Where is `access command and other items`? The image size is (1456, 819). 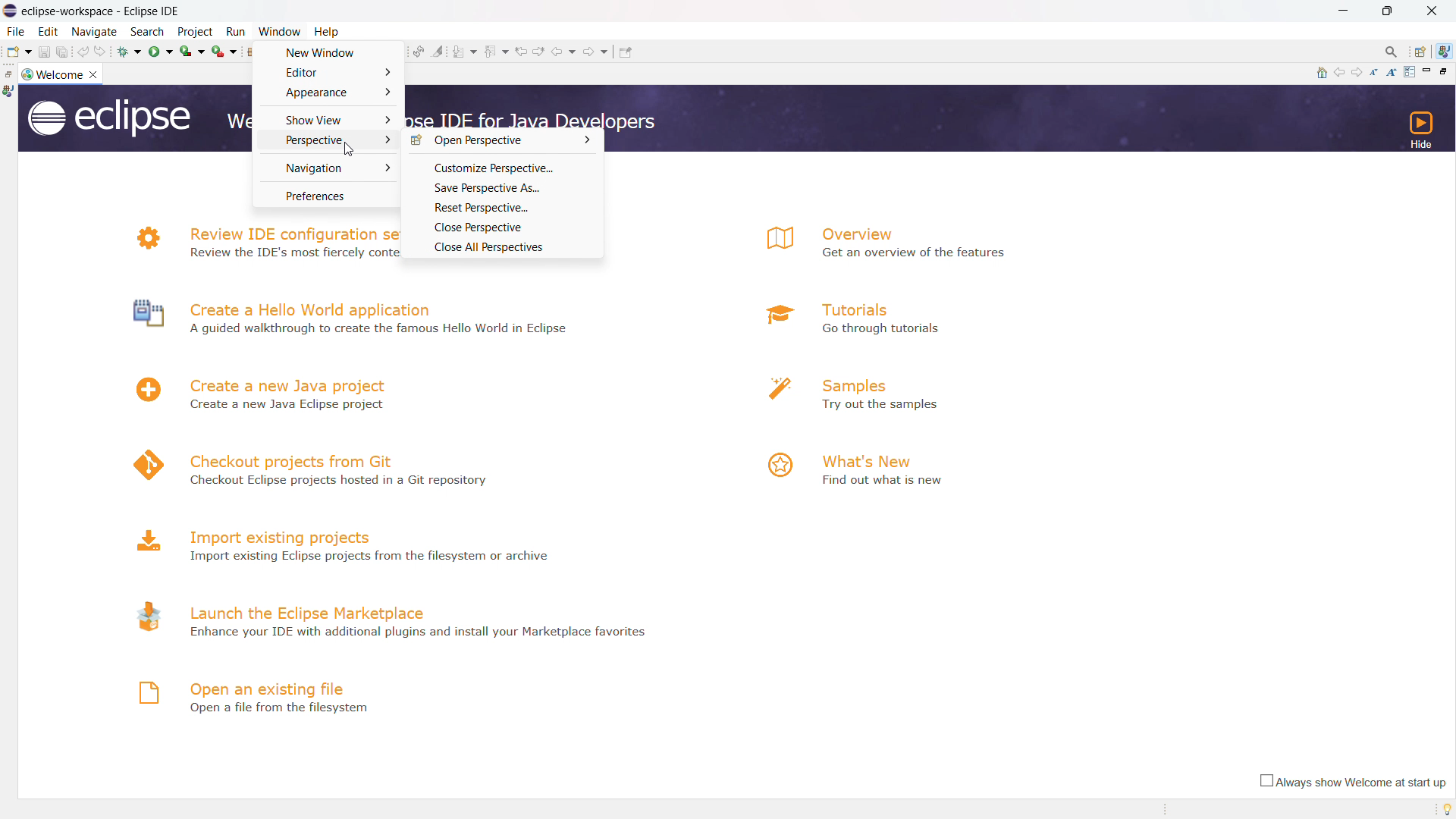
access command and other items is located at coordinates (1392, 52).